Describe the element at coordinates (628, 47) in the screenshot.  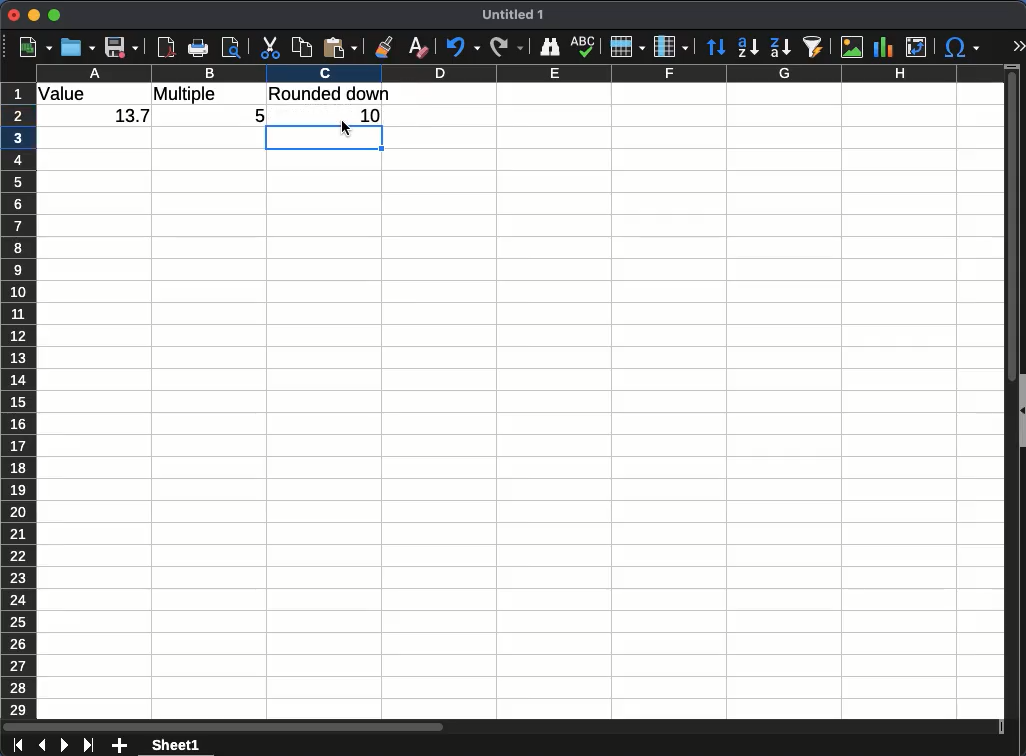
I see `rows` at that location.